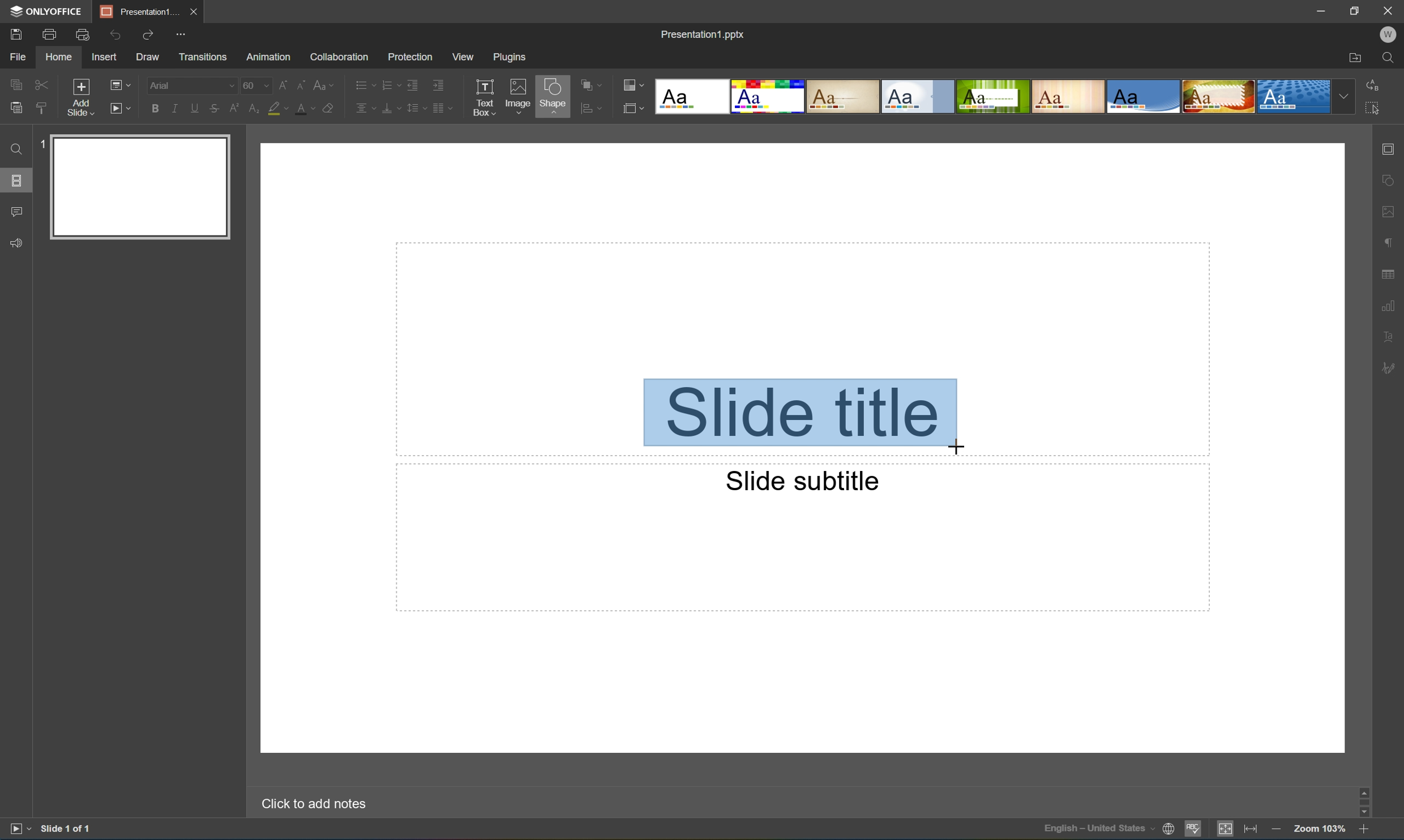  What do you see at coordinates (233, 108) in the screenshot?
I see `Superscript` at bounding box center [233, 108].